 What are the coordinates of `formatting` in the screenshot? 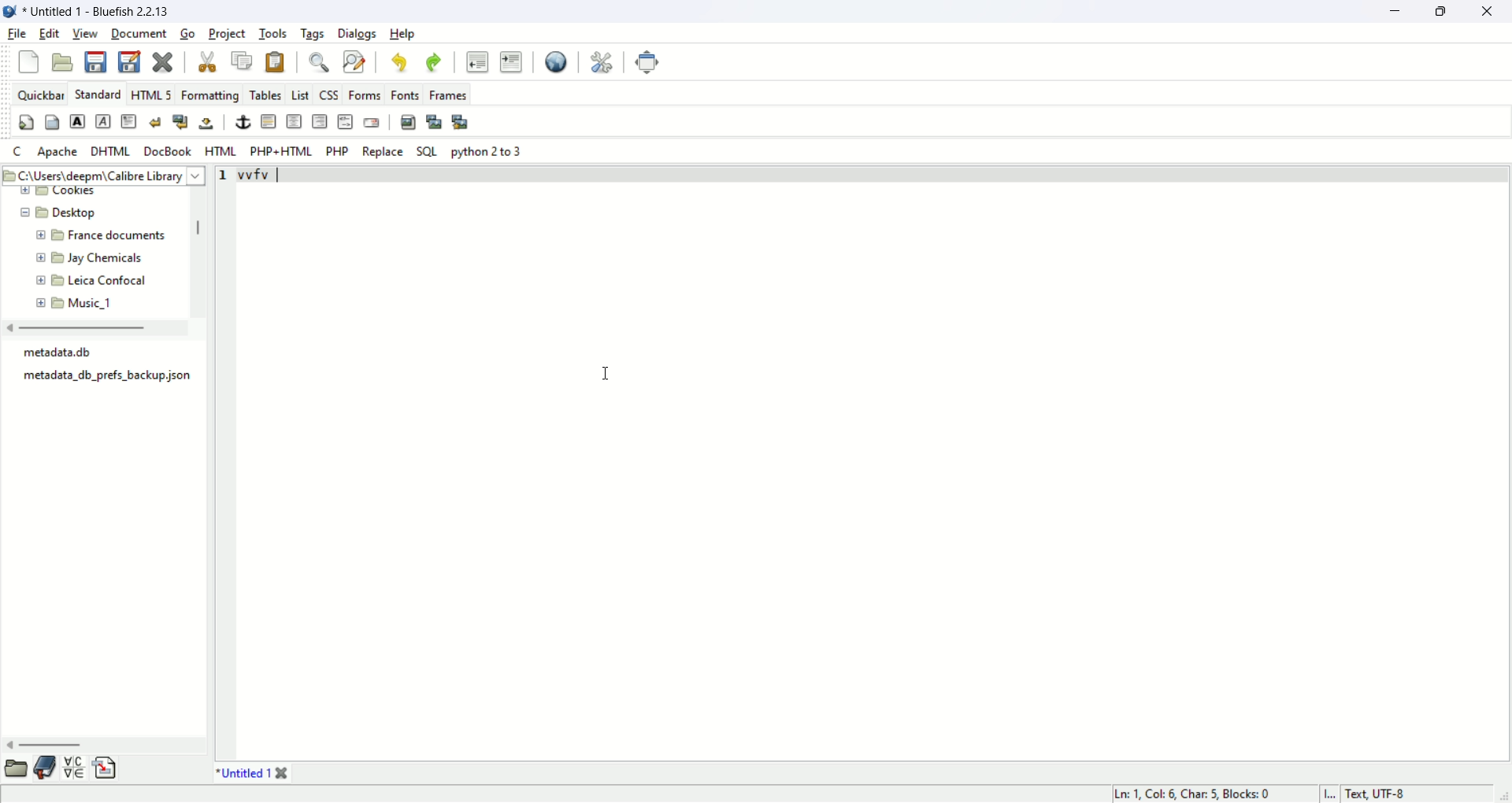 It's located at (210, 96).